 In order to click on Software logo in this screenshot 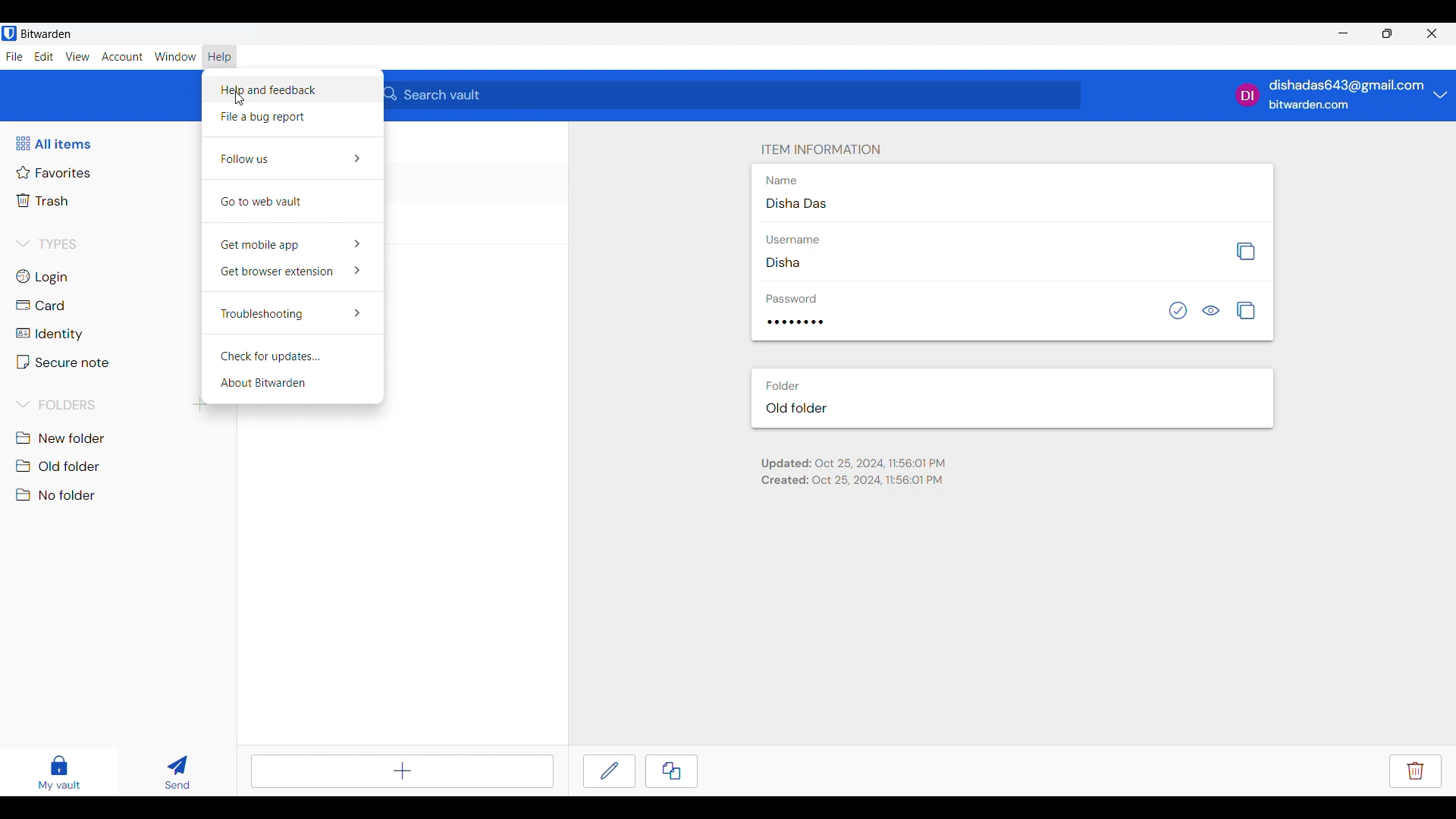, I will do `click(9, 33)`.